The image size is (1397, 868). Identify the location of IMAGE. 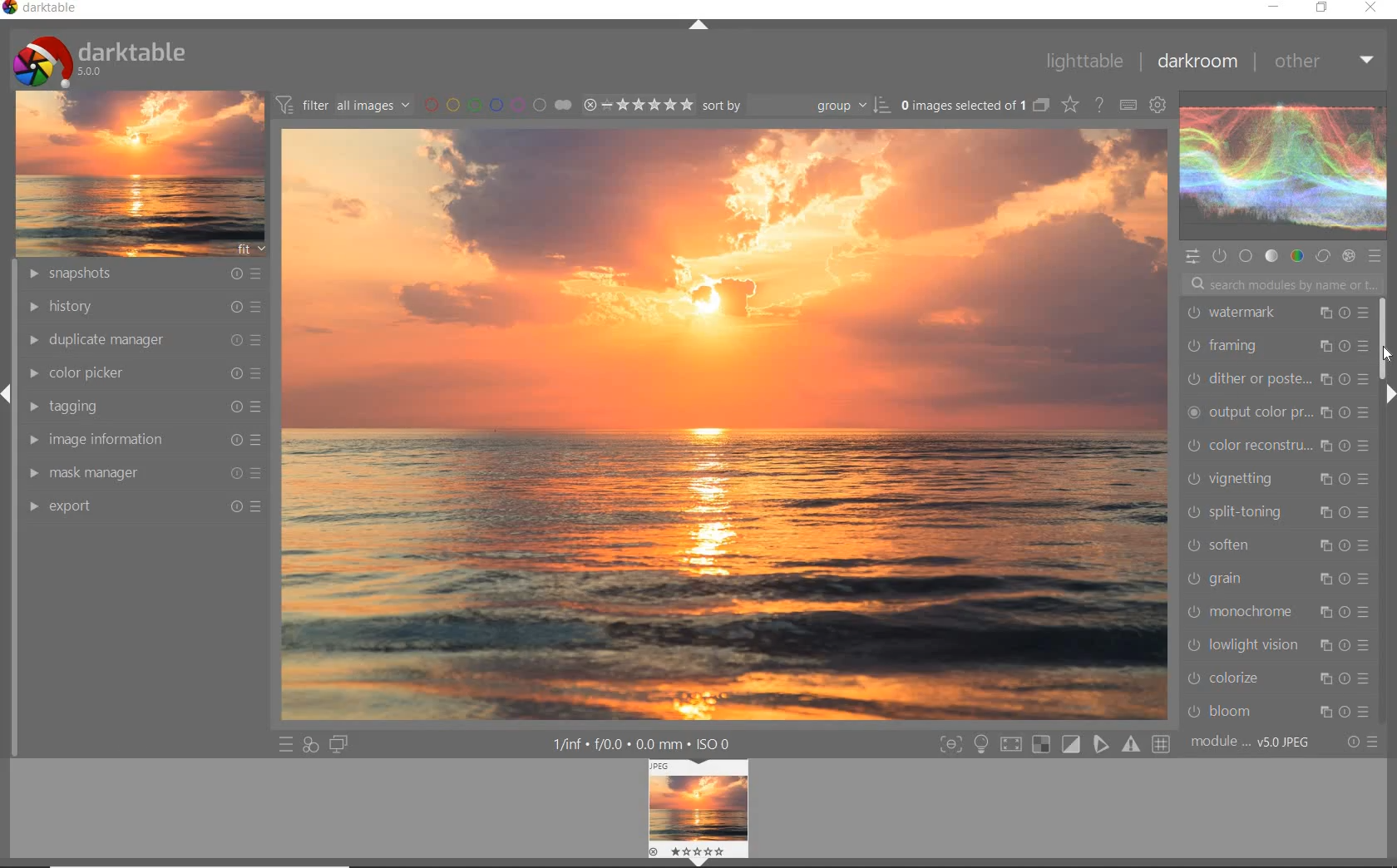
(140, 172).